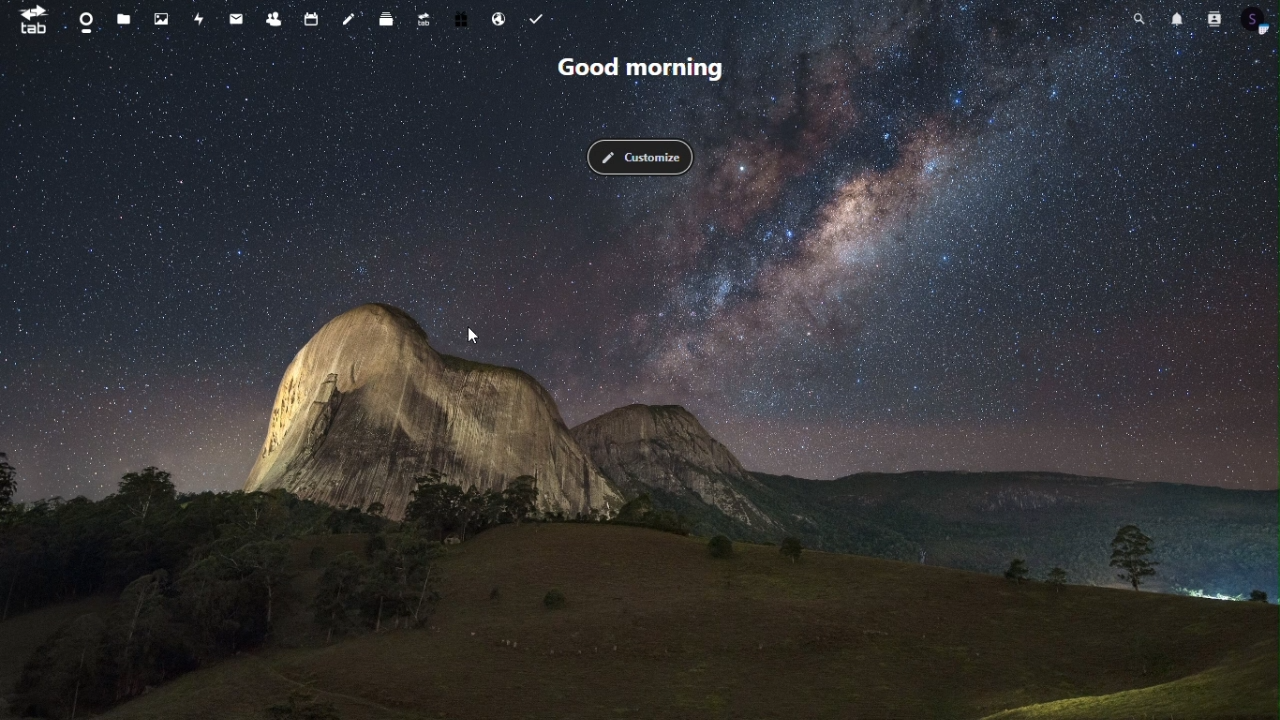 Image resolution: width=1280 pixels, height=720 pixels. What do you see at coordinates (200, 20) in the screenshot?
I see `activity` at bounding box center [200, 20].